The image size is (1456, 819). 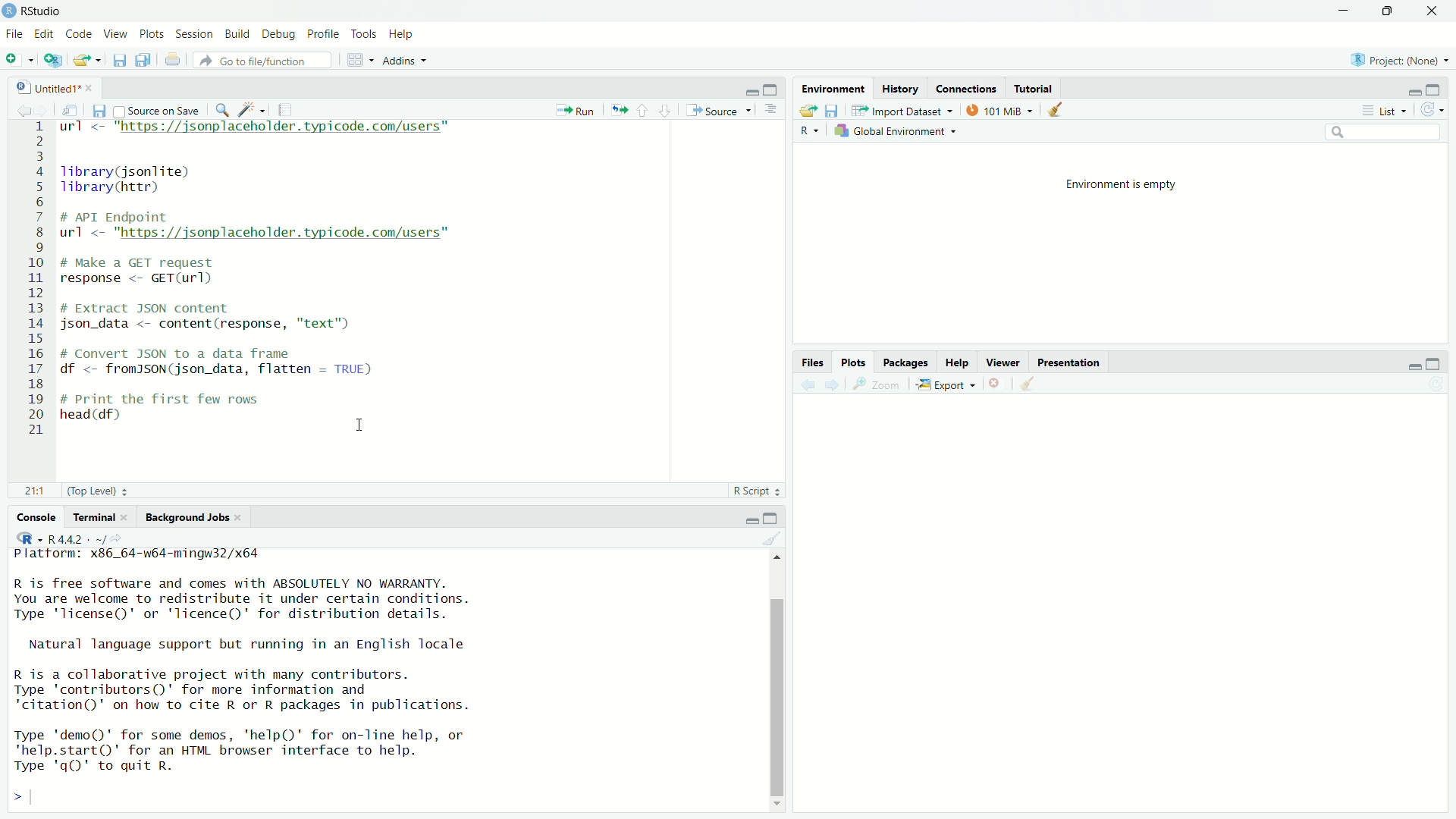 What do you see at coordinates (407, 60) in the screenshot?
I see `Addins ` at bounding box center [407, 60].